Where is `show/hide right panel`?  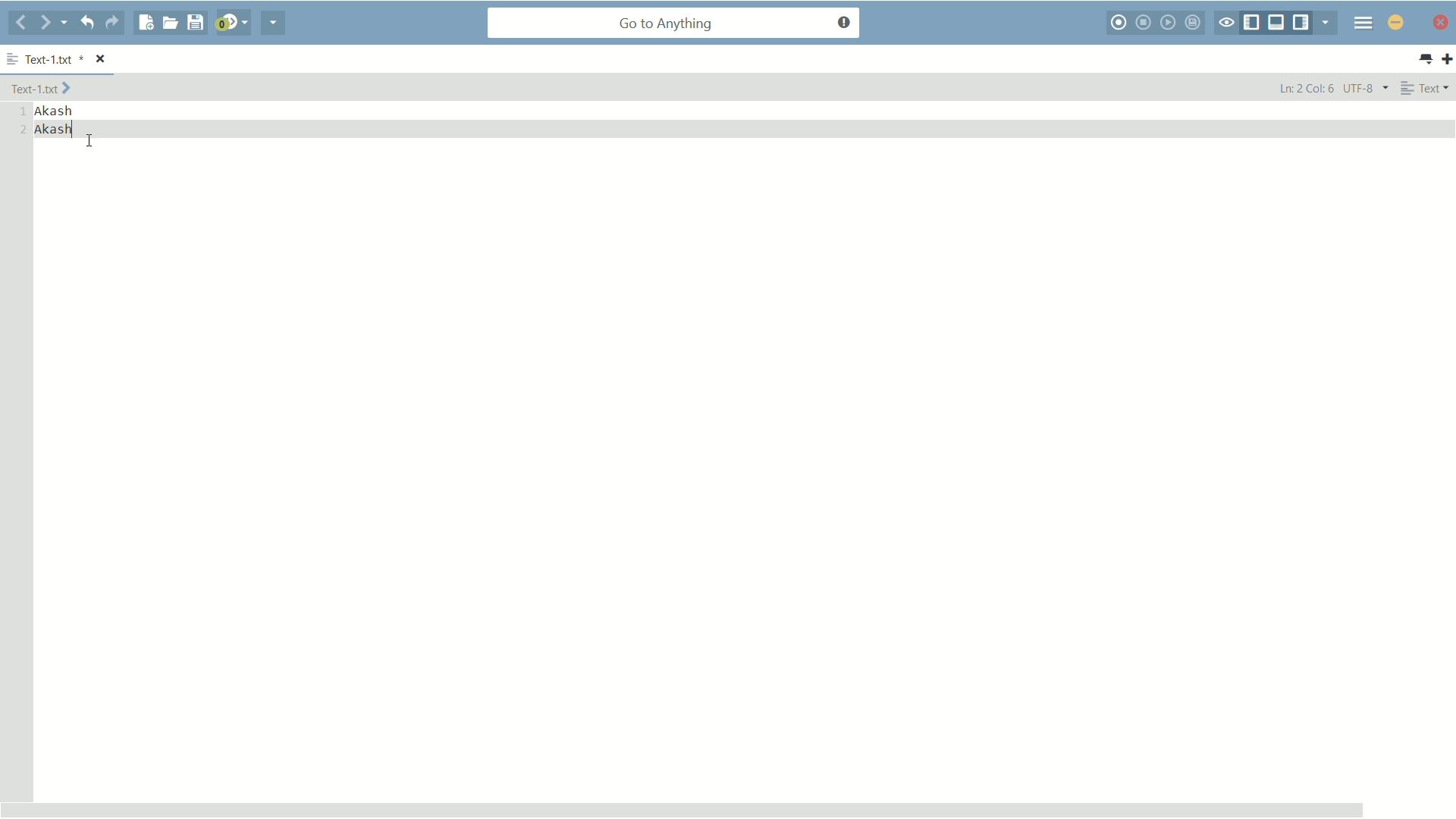 show/hide right panel is located at coordinates (1301, 23).